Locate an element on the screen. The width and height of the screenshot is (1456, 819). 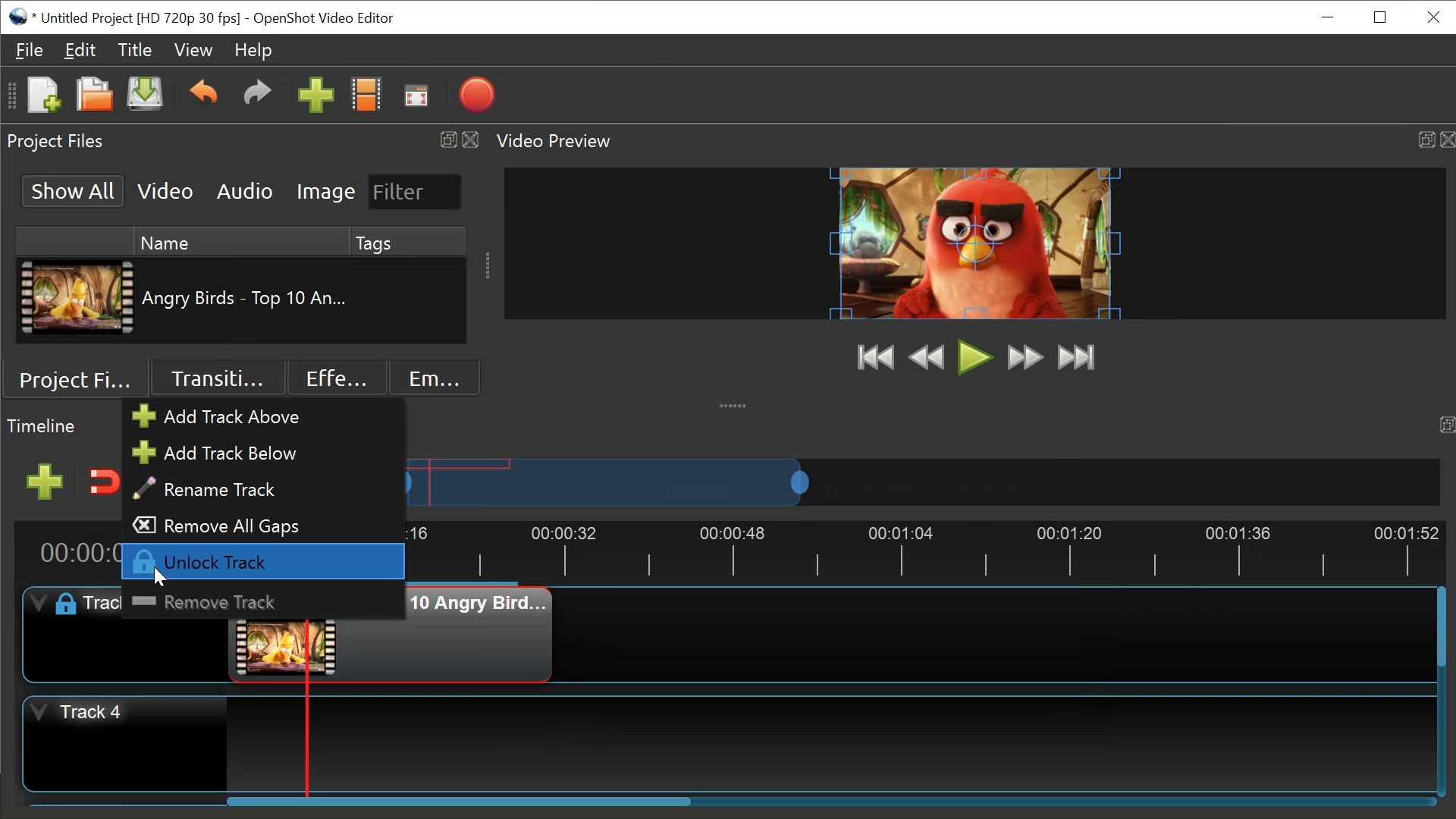
Redo is located at coordinates (259, 97).